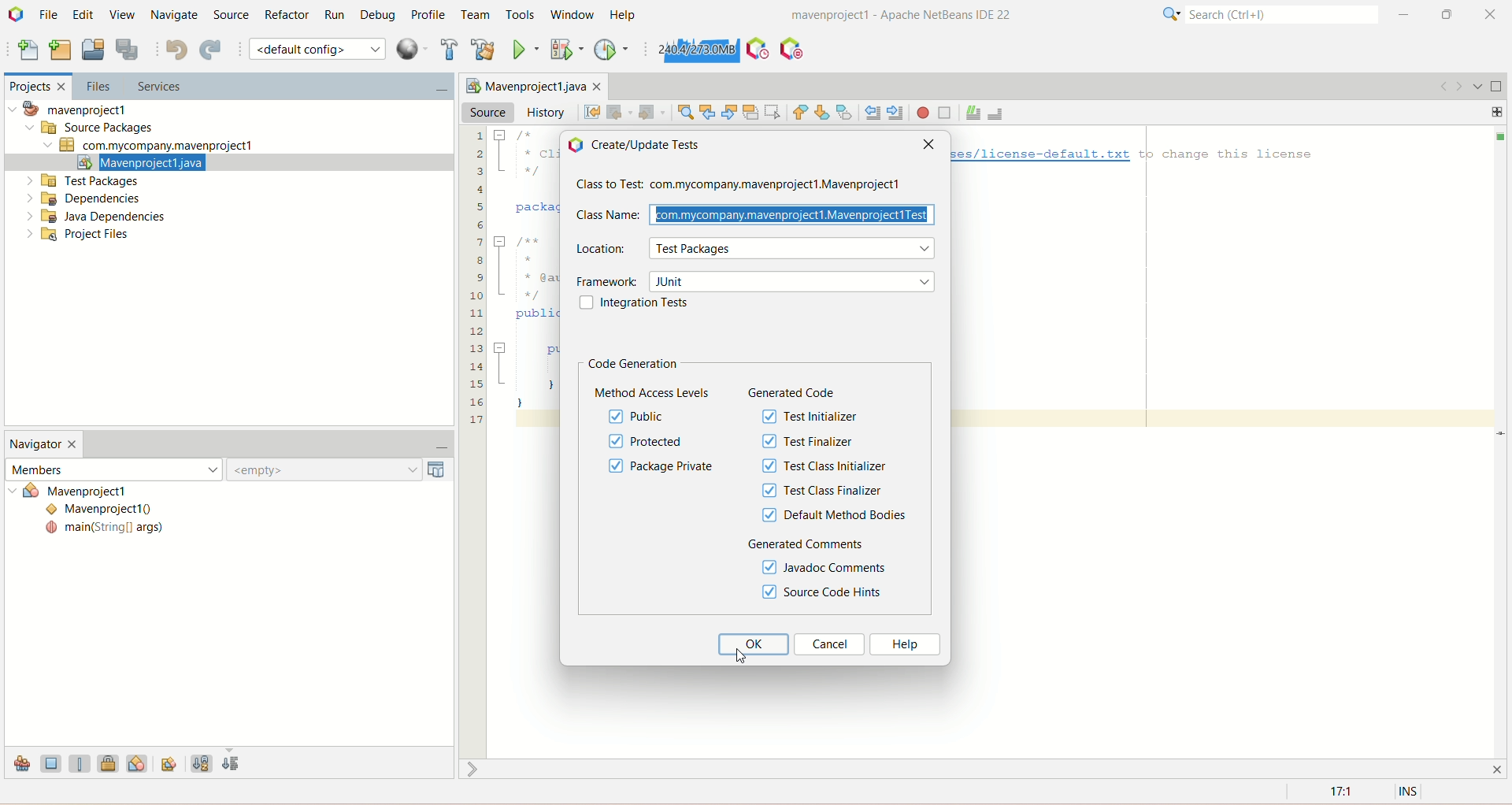 This screenshot has width=1512, height=805. I want to click on source package, so click(86, 128).